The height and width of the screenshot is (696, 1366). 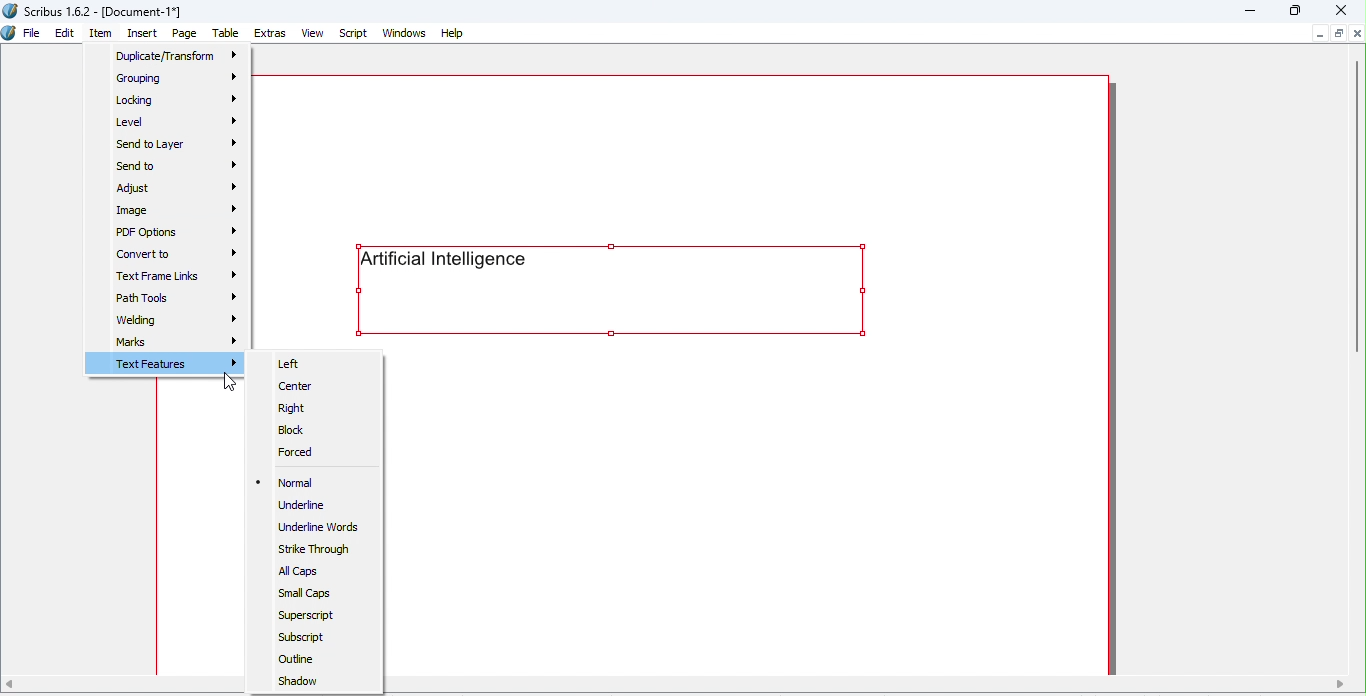 What do you see at coordinates (145, 33) in the screenshot?
I see `Insert` at bounding box center [145, 33].